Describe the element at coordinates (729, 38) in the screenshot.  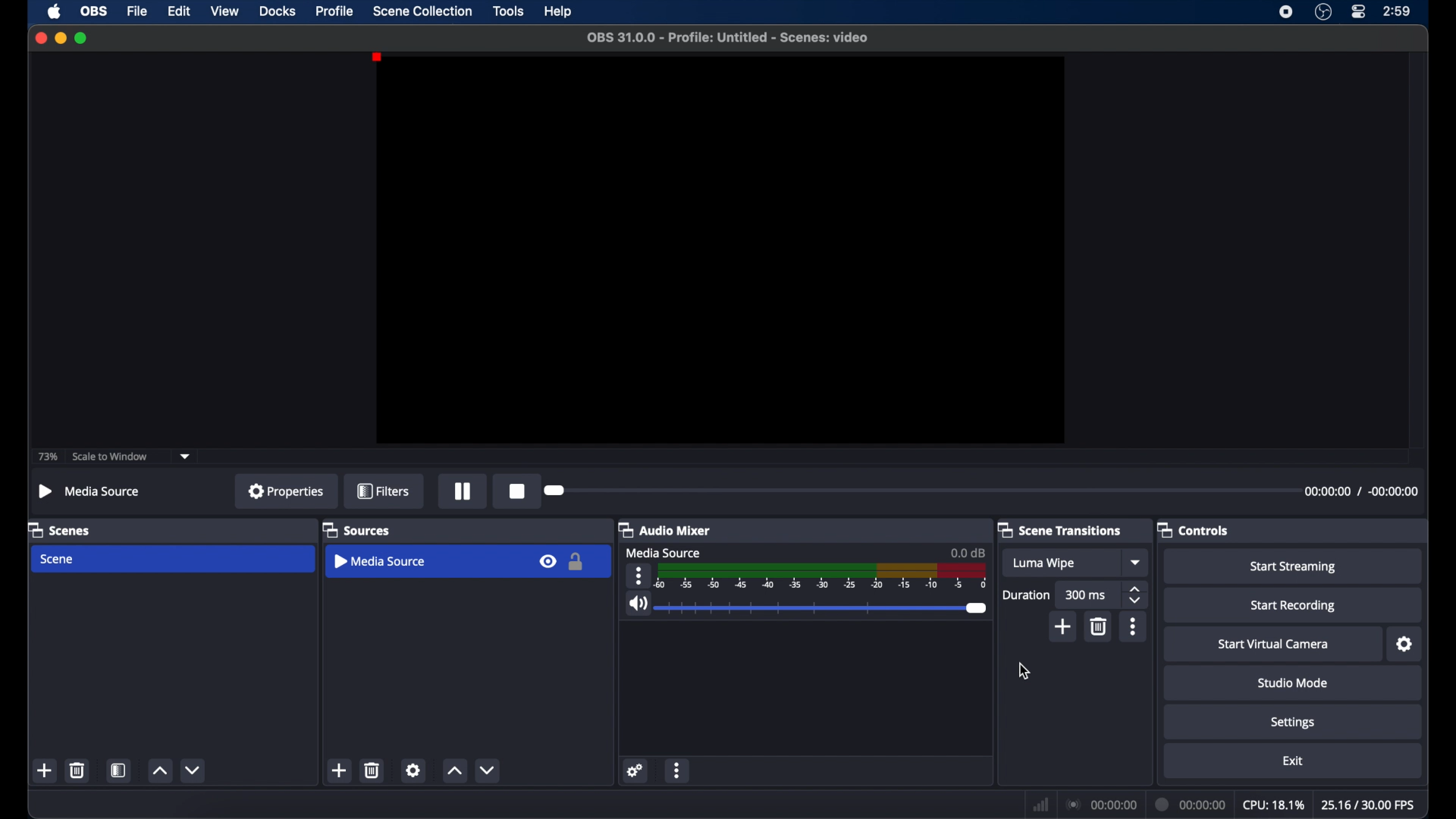
I see `file name` at that location.